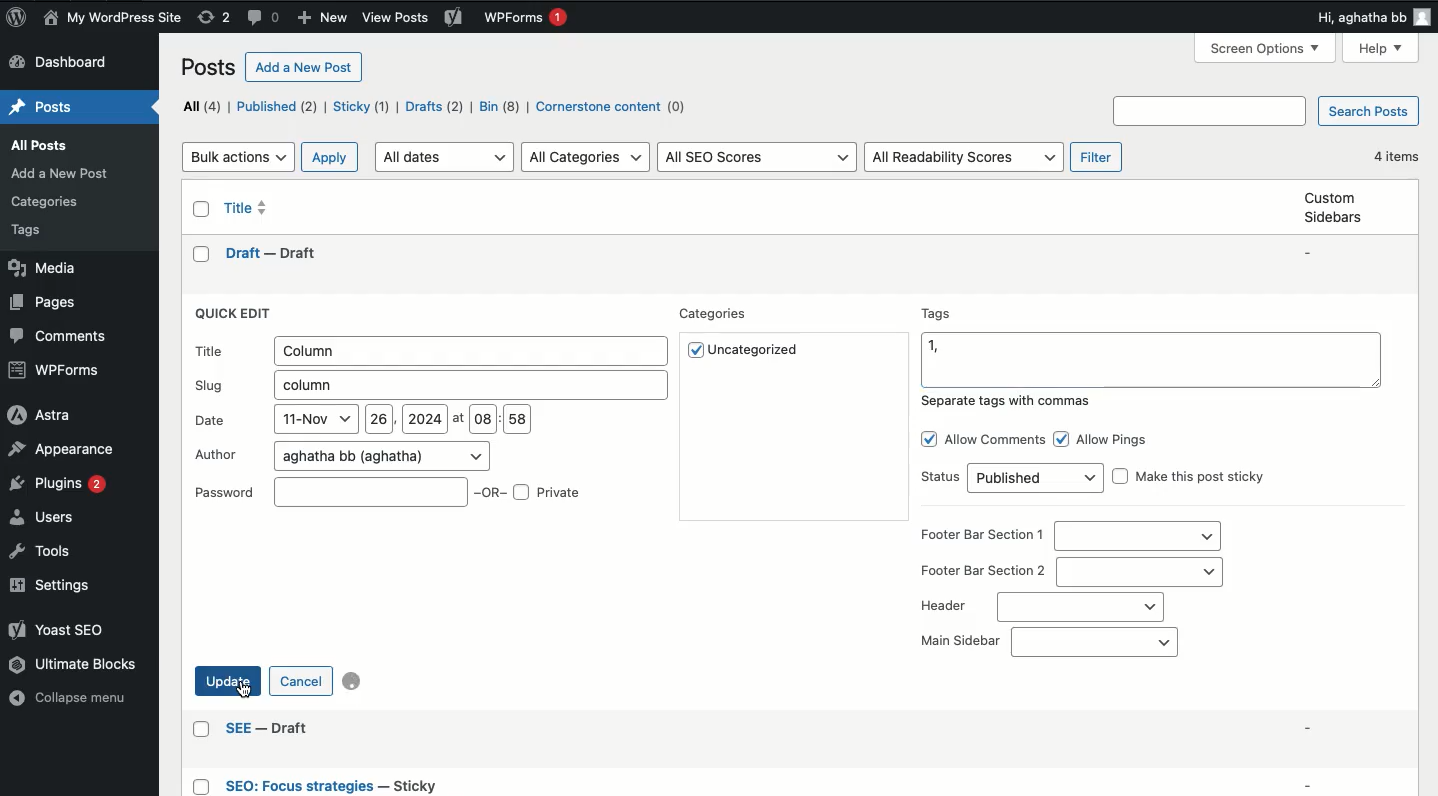 The image size is (1438, 796). I want to click on Click, so click(233, 685).